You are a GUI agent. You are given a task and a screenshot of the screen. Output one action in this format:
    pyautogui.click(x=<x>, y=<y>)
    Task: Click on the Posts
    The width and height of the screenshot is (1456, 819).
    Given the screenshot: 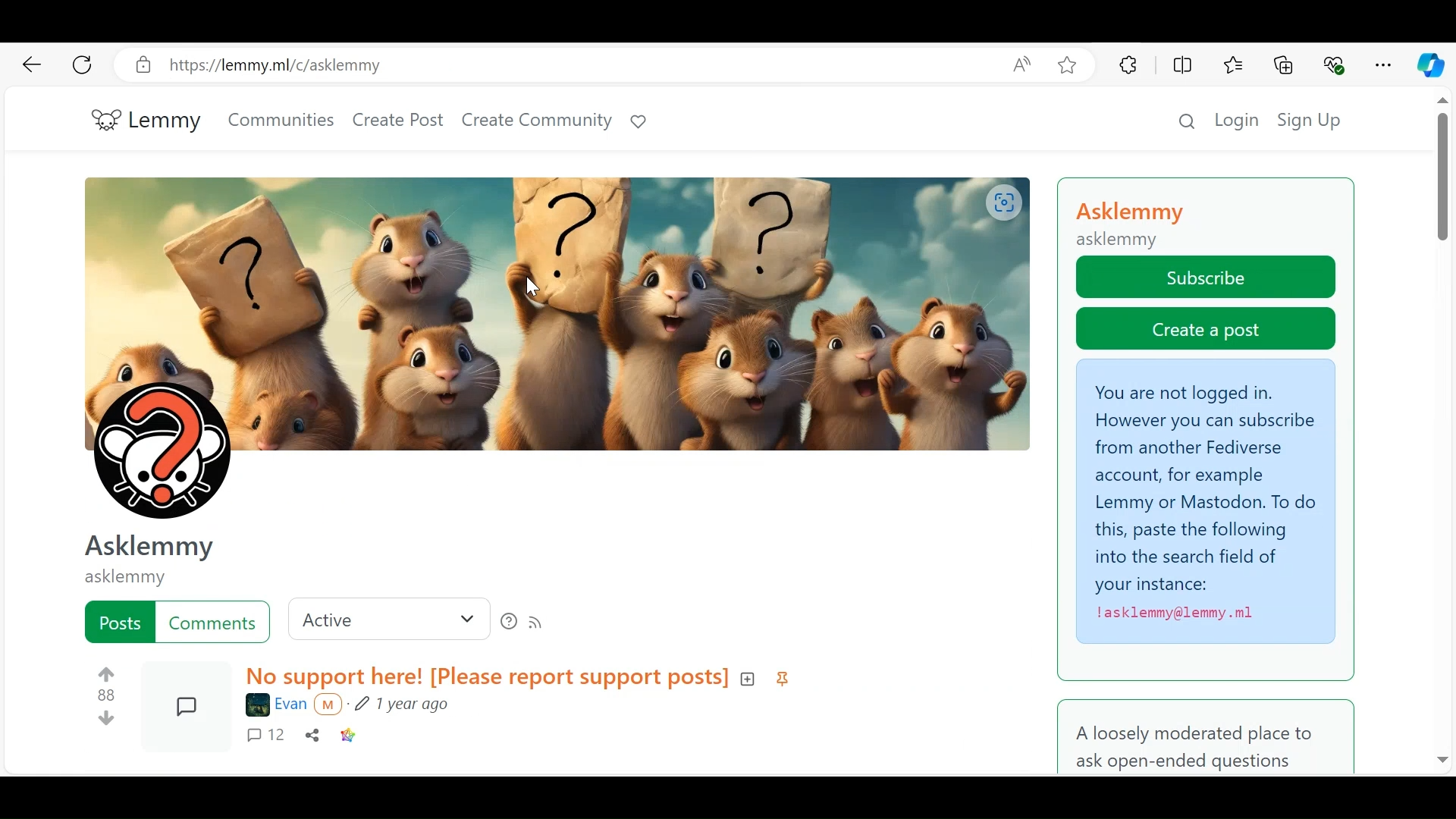 What is the action you would take?
    pyautogui.click(x=119, y=621)
    